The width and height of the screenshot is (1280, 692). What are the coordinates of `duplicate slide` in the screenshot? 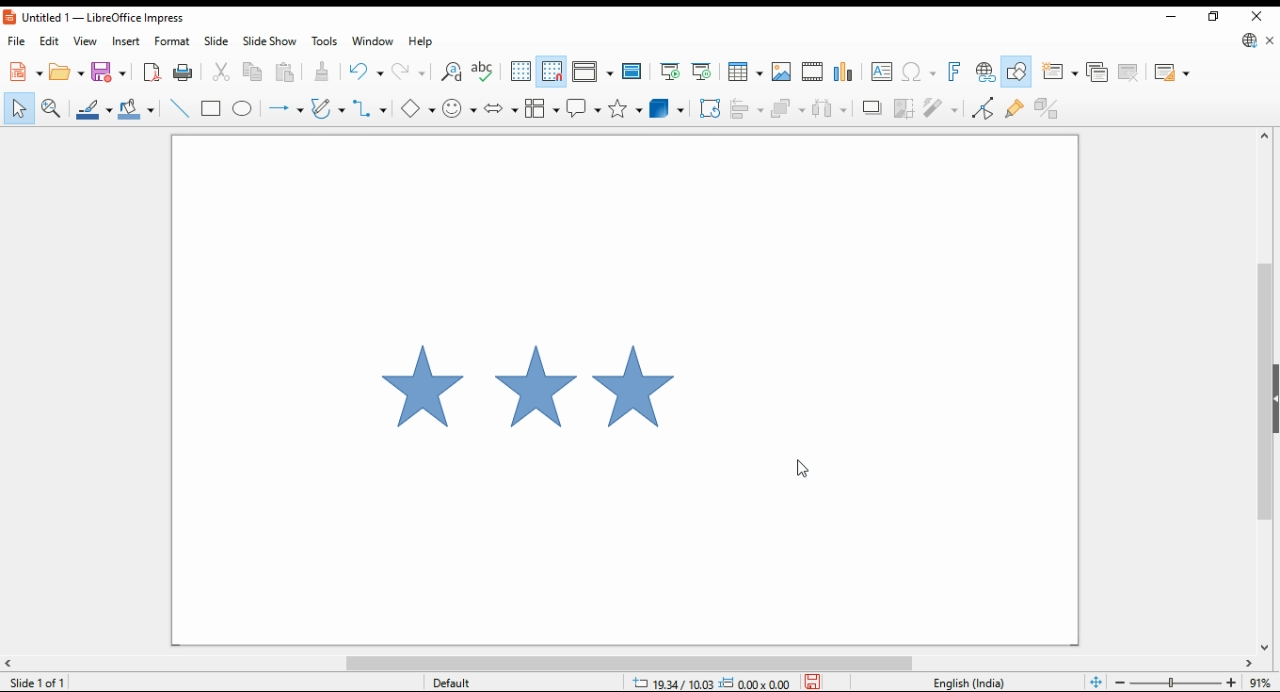 It's located at (1098, 72).